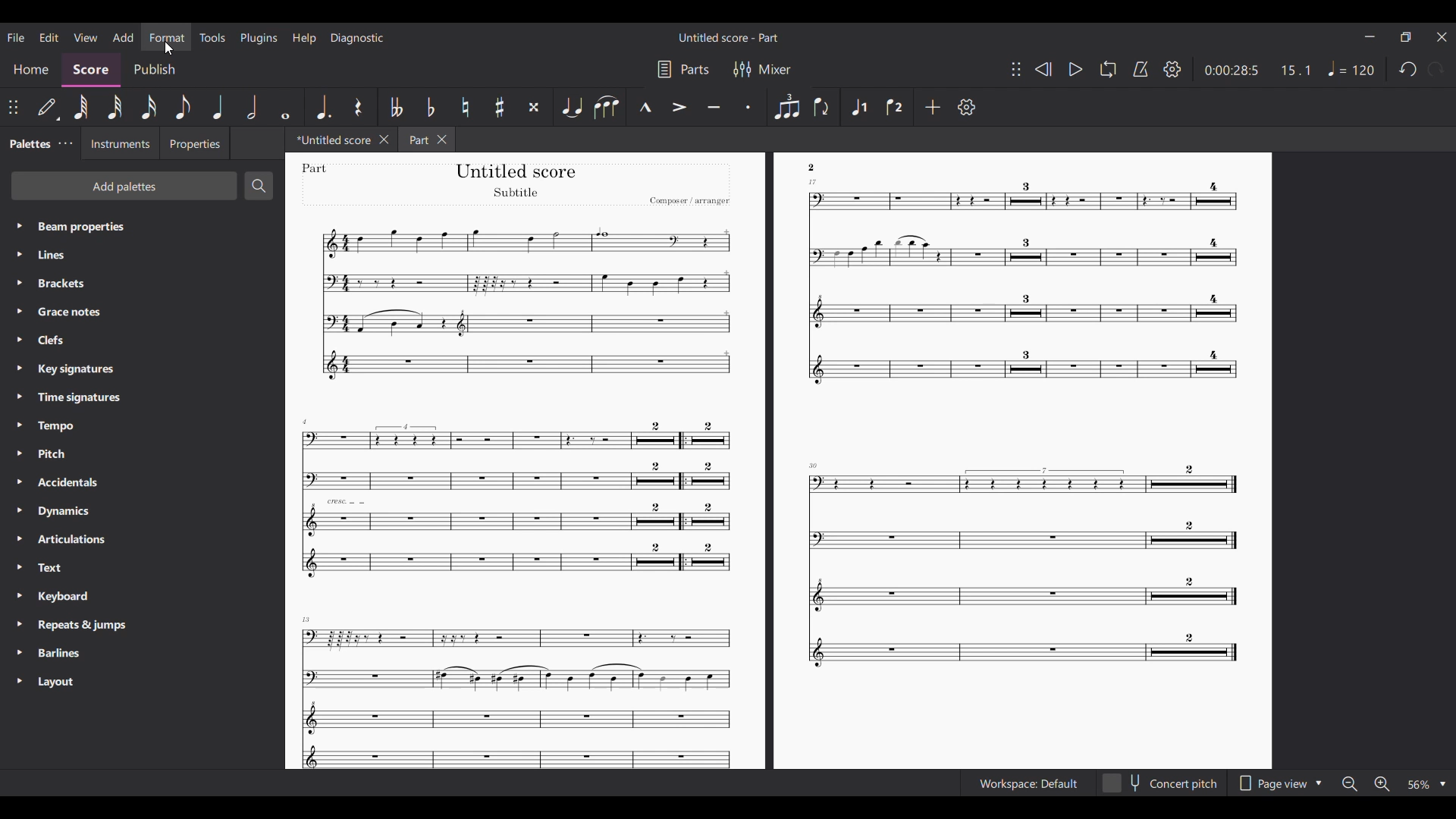 The image size is (1456, 819). Describe the element at coordinates (66, 597) in the screenshot. I see `Keyboard` at that location.